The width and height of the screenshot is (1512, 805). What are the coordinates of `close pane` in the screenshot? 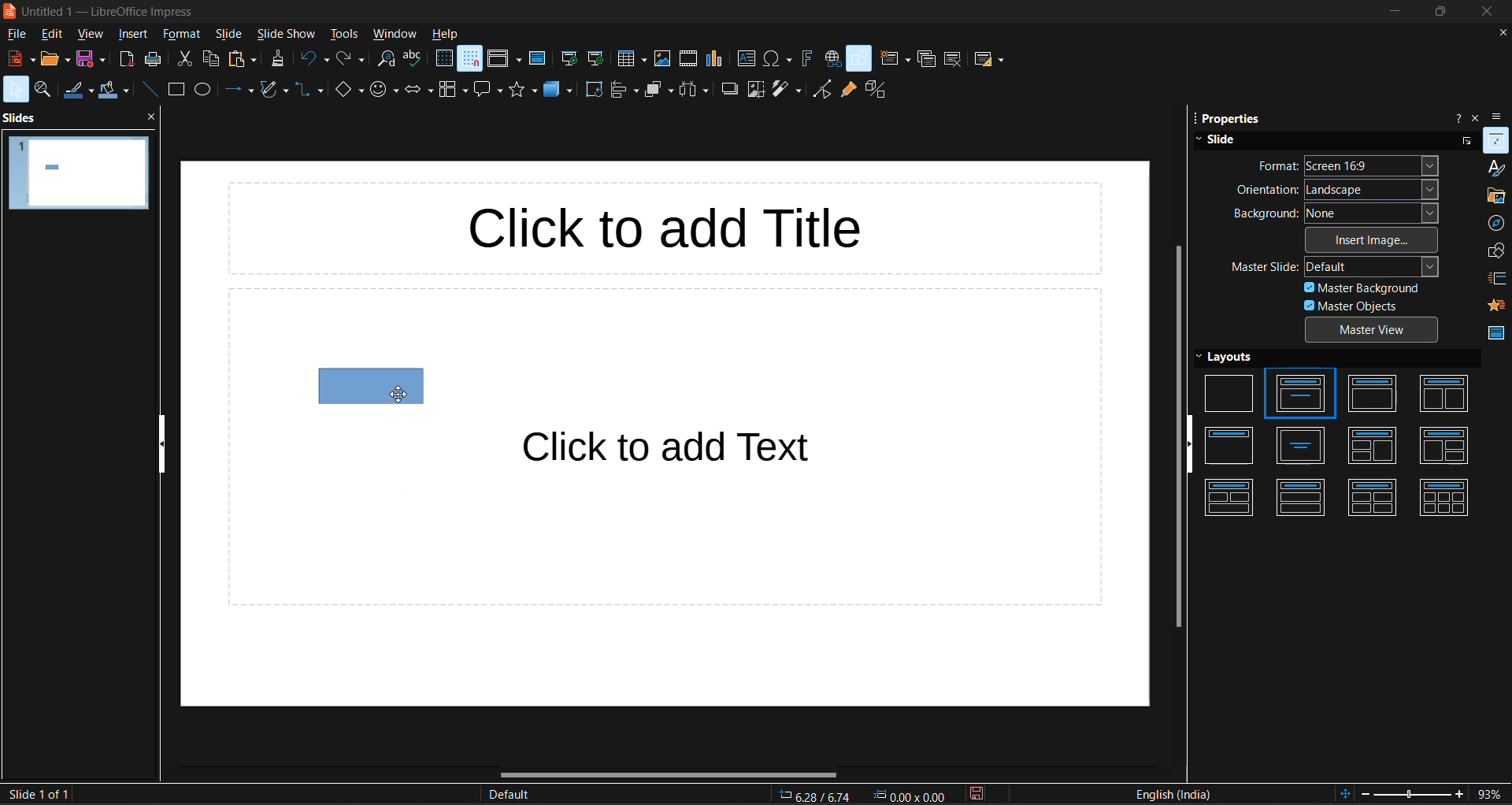 It's located at (149, 118).